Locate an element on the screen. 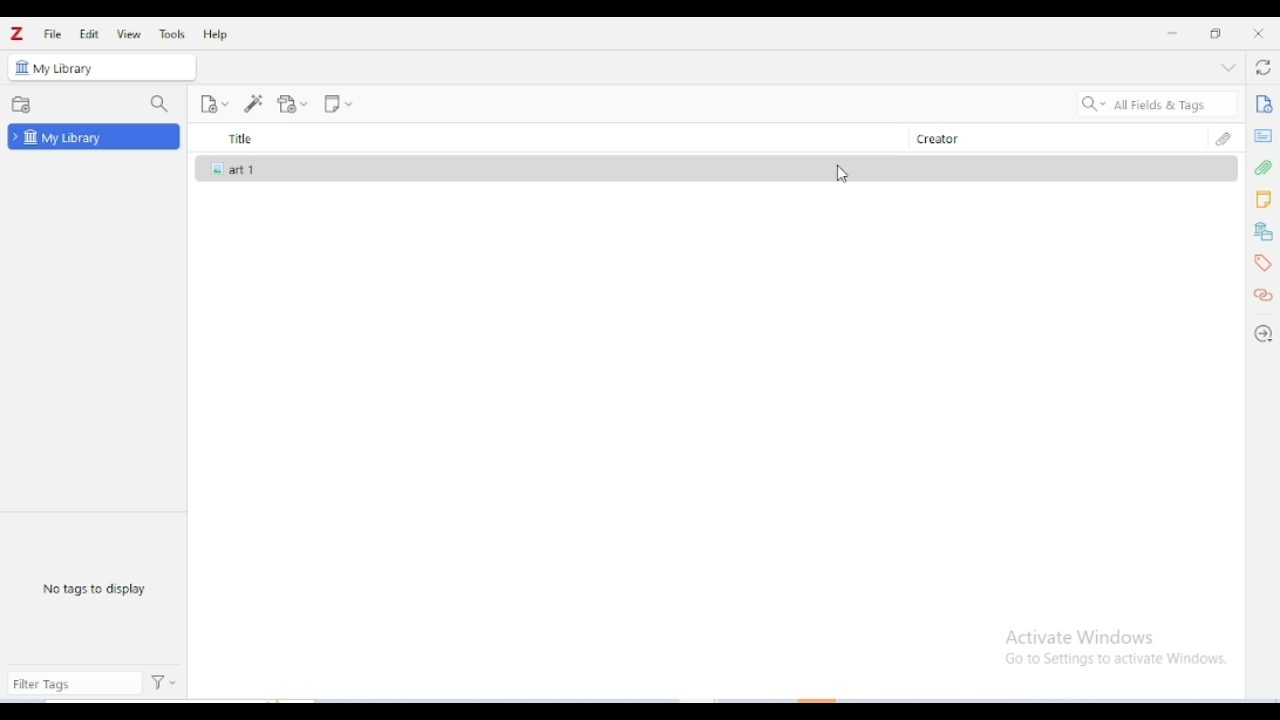  add attachment is located at coordinates (292, 104).